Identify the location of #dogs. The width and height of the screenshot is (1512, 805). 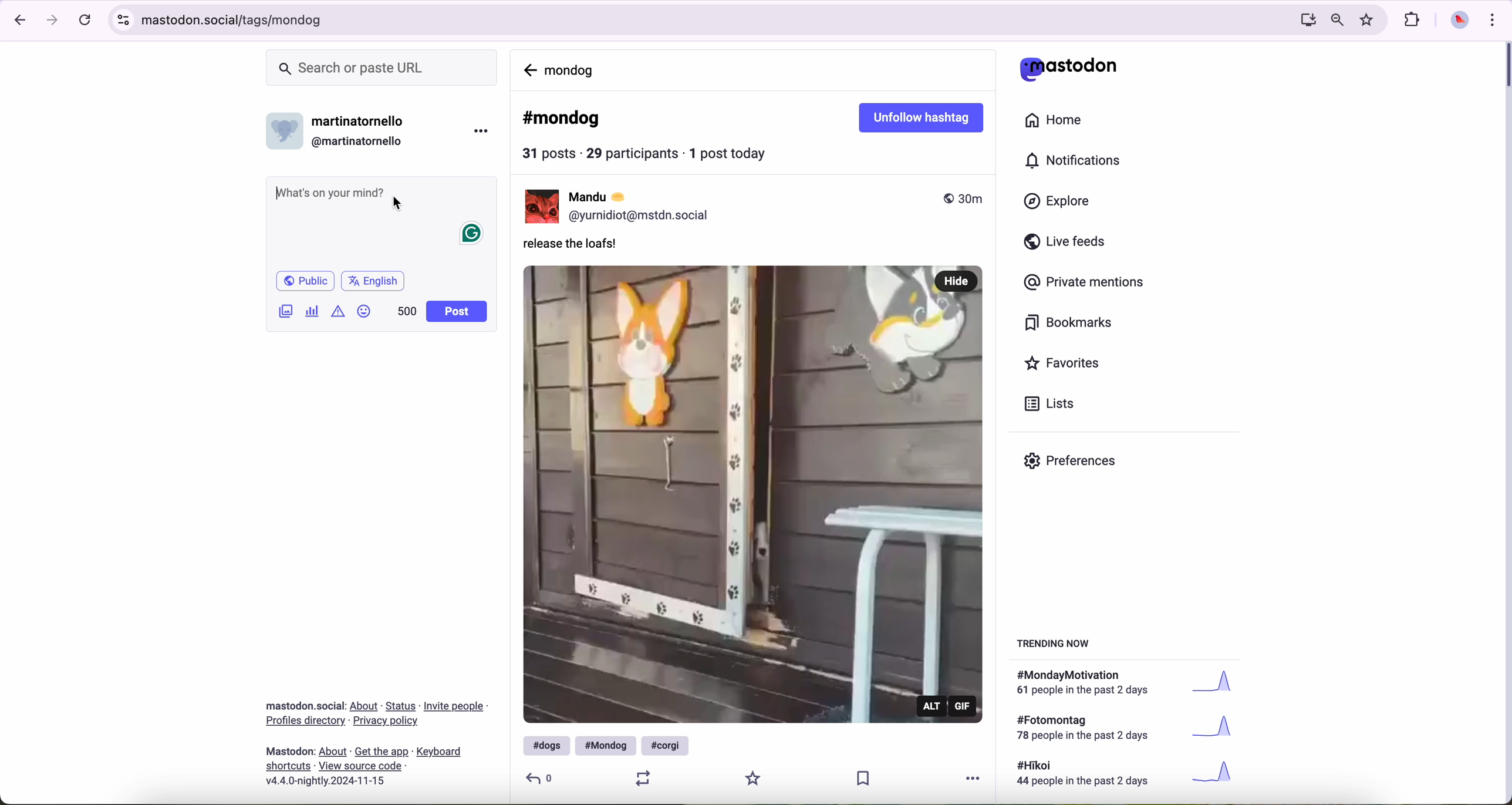
(544, 745).